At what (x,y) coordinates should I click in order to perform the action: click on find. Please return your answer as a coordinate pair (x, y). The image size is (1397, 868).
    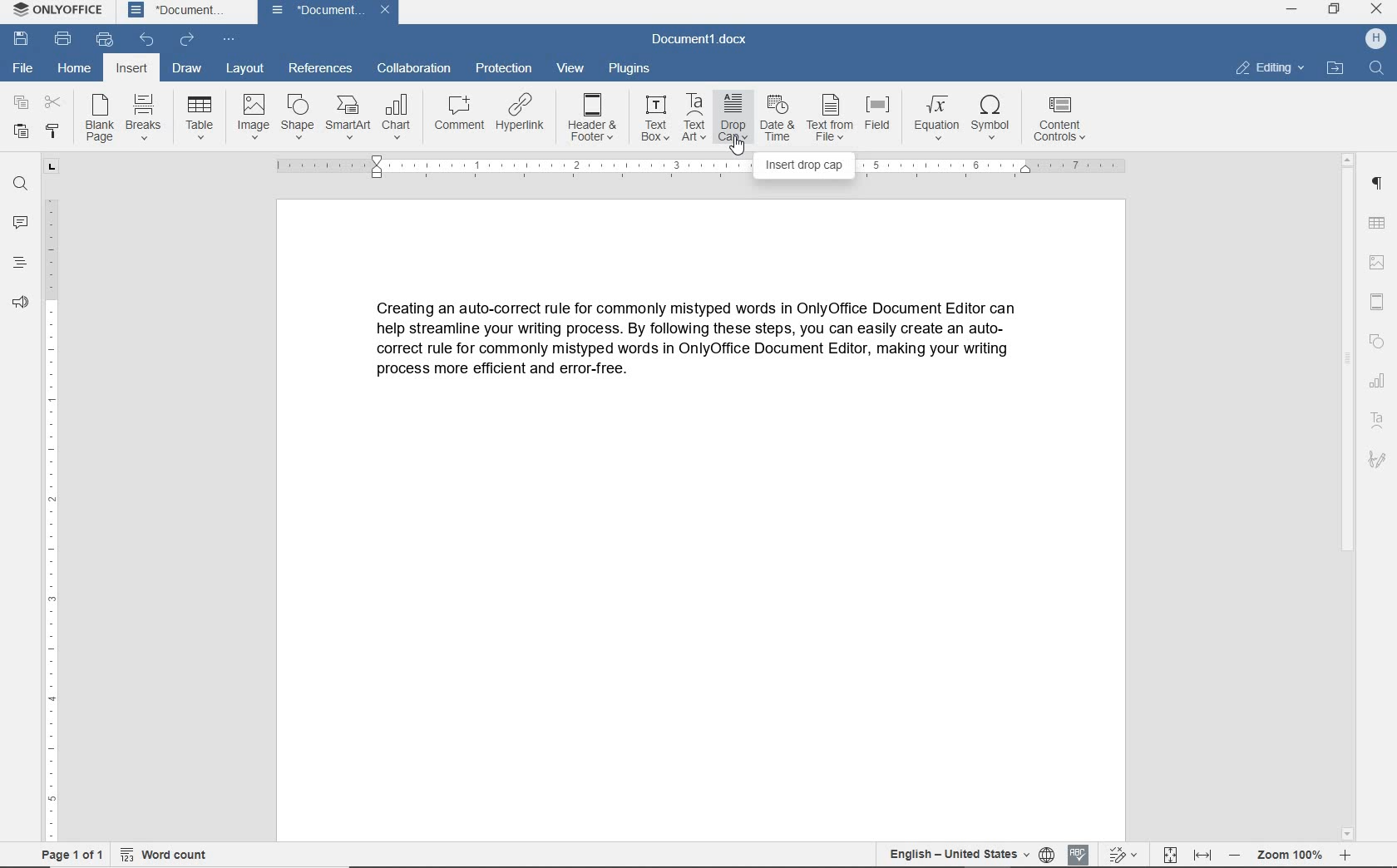
    Looking at the image, I should click on (20, 184).